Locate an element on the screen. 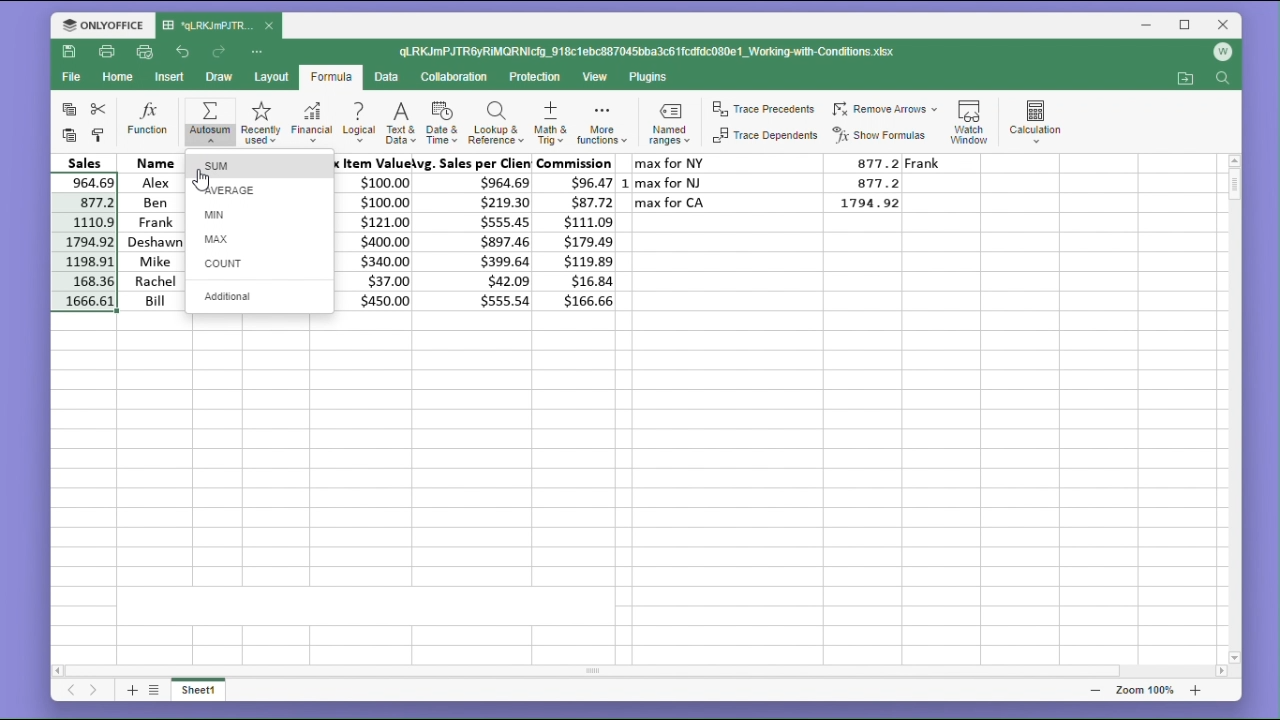 This screenshot has height=720, width=1280. average is located at coordinates (260, 191).